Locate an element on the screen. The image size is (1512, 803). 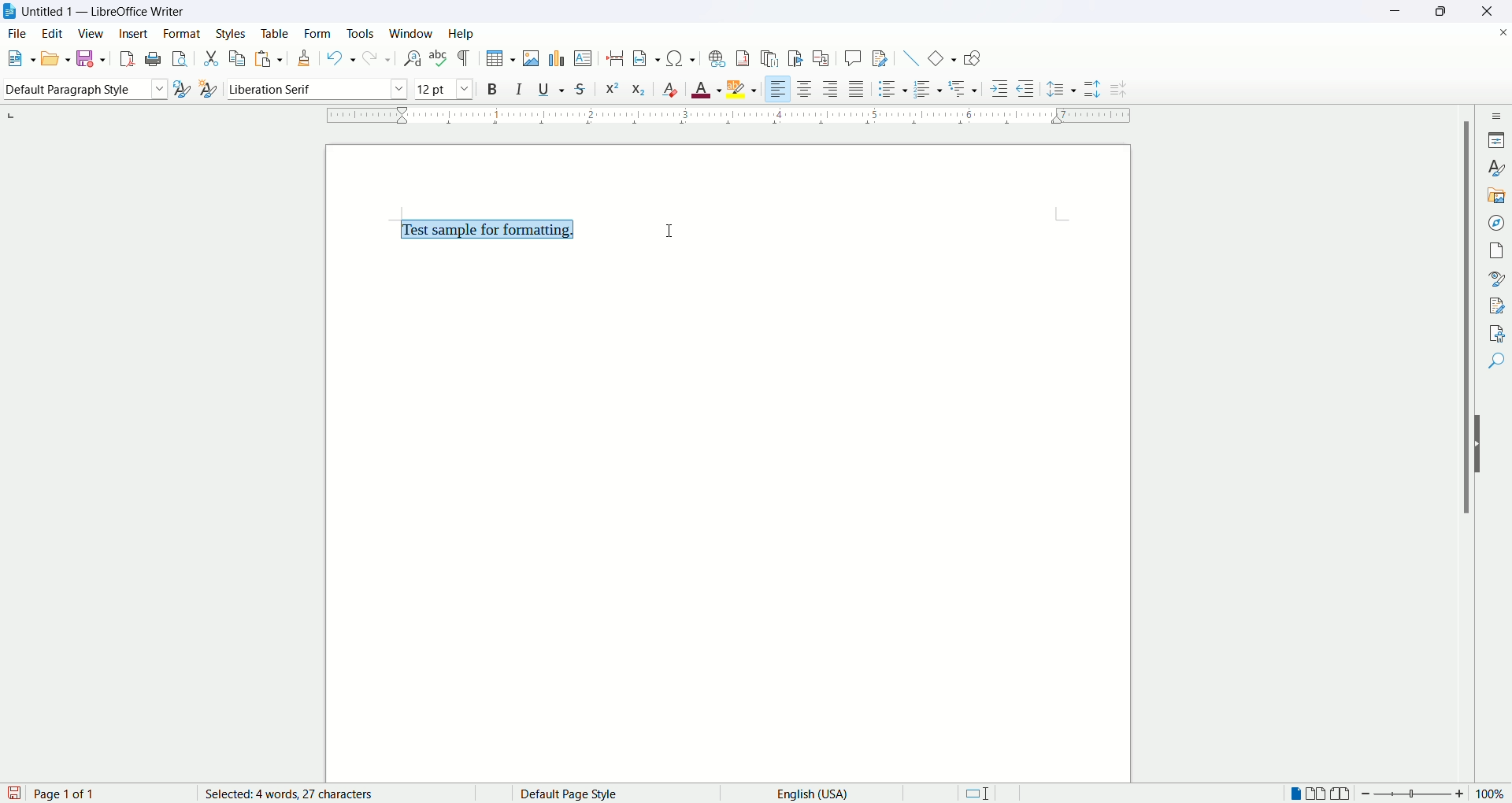
maximize is located at coordinates (1440, 12).